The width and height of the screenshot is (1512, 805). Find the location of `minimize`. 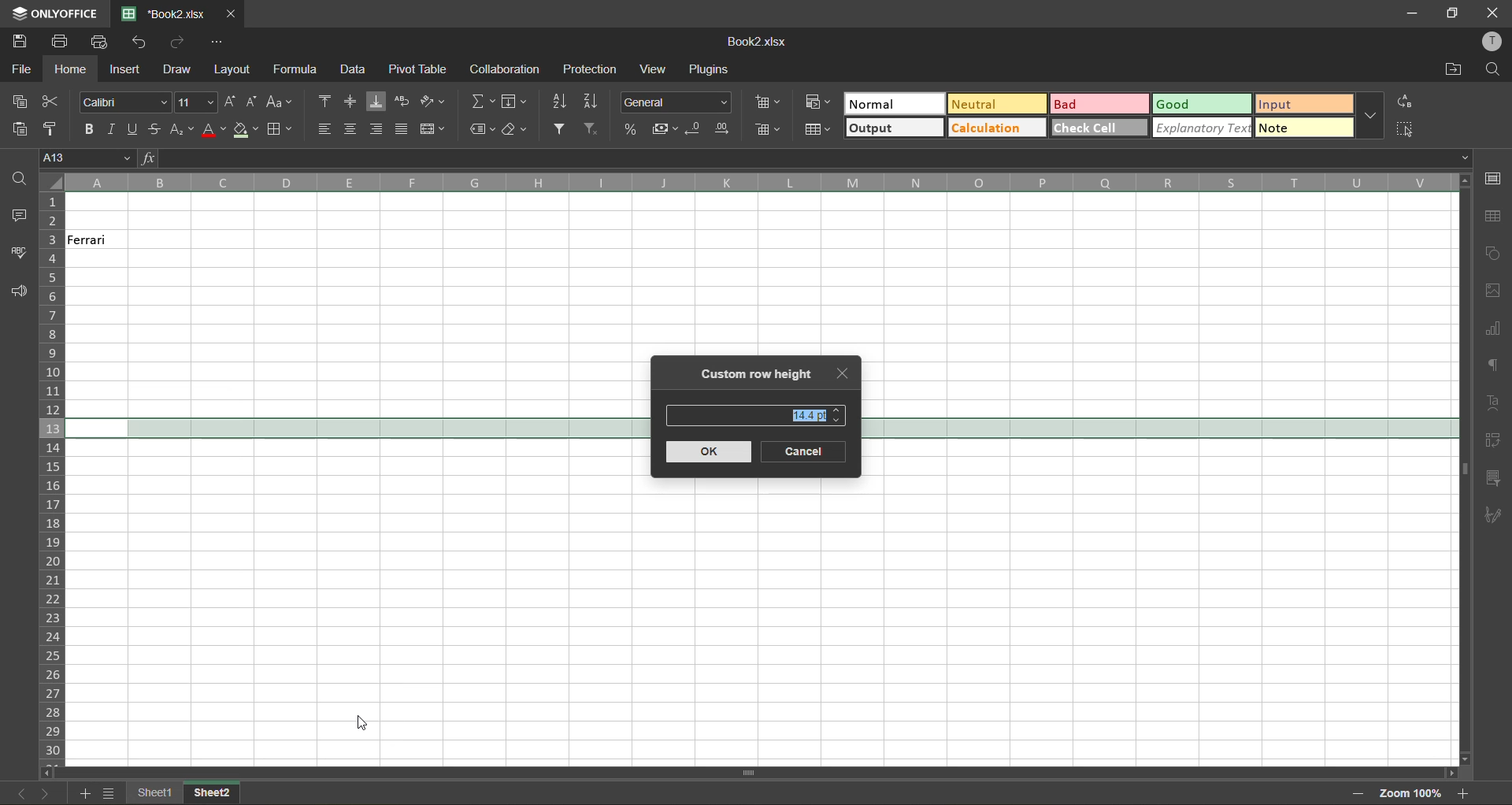

minimize is located at coordinates (1410, 12).